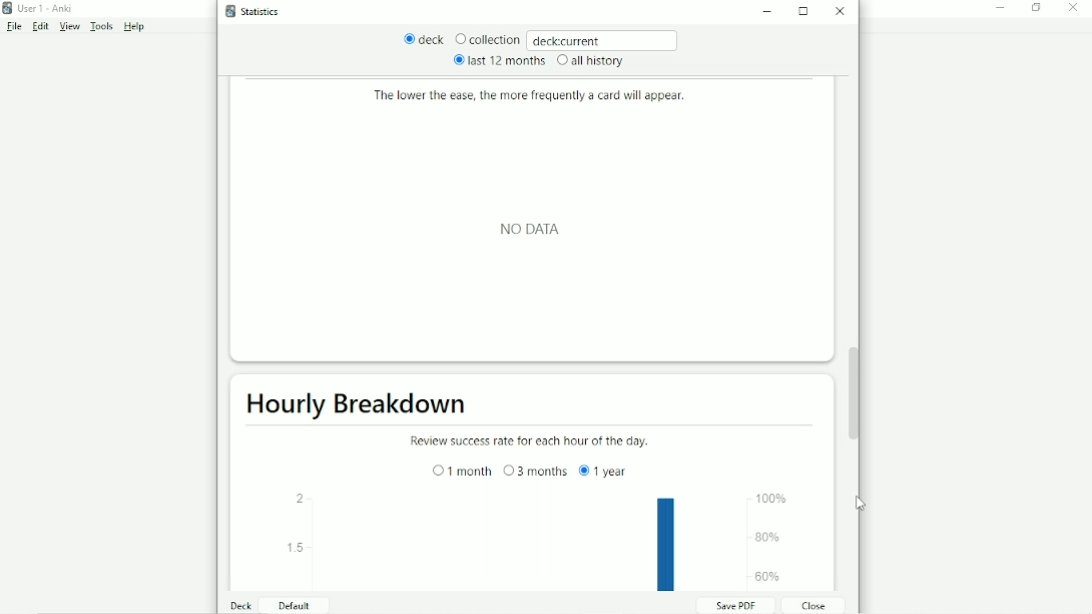 This screenshot has height=614, width=1092. Describe the element at coordinates (607, 471) in the screenshot. I see `1 year` at that location.